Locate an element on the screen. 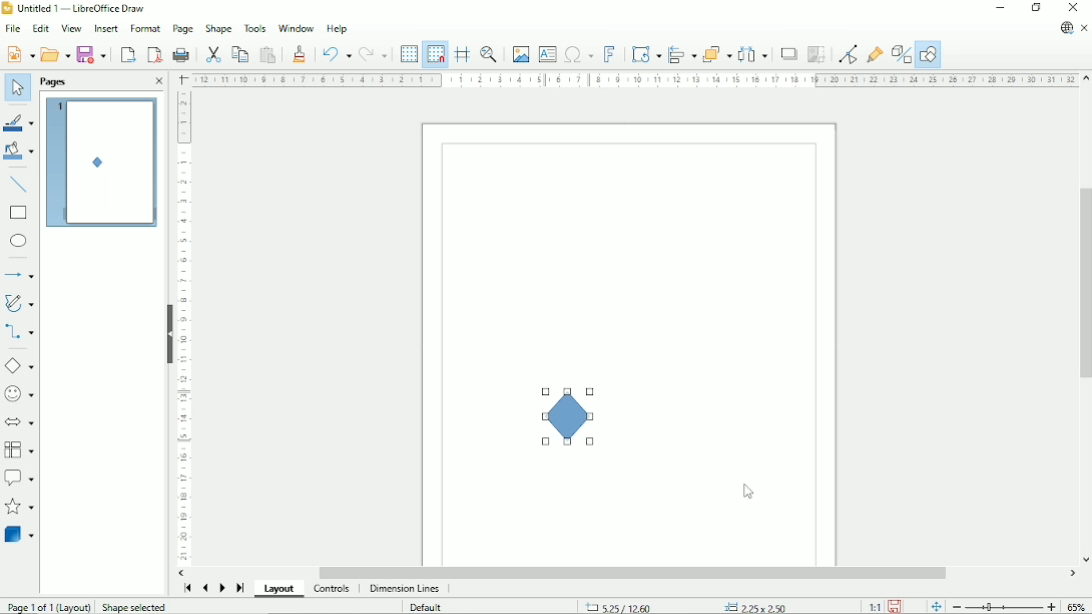 The width and height of the screenshot is (1092, 614). Scroll to next page is located at coordinates (221, 587).